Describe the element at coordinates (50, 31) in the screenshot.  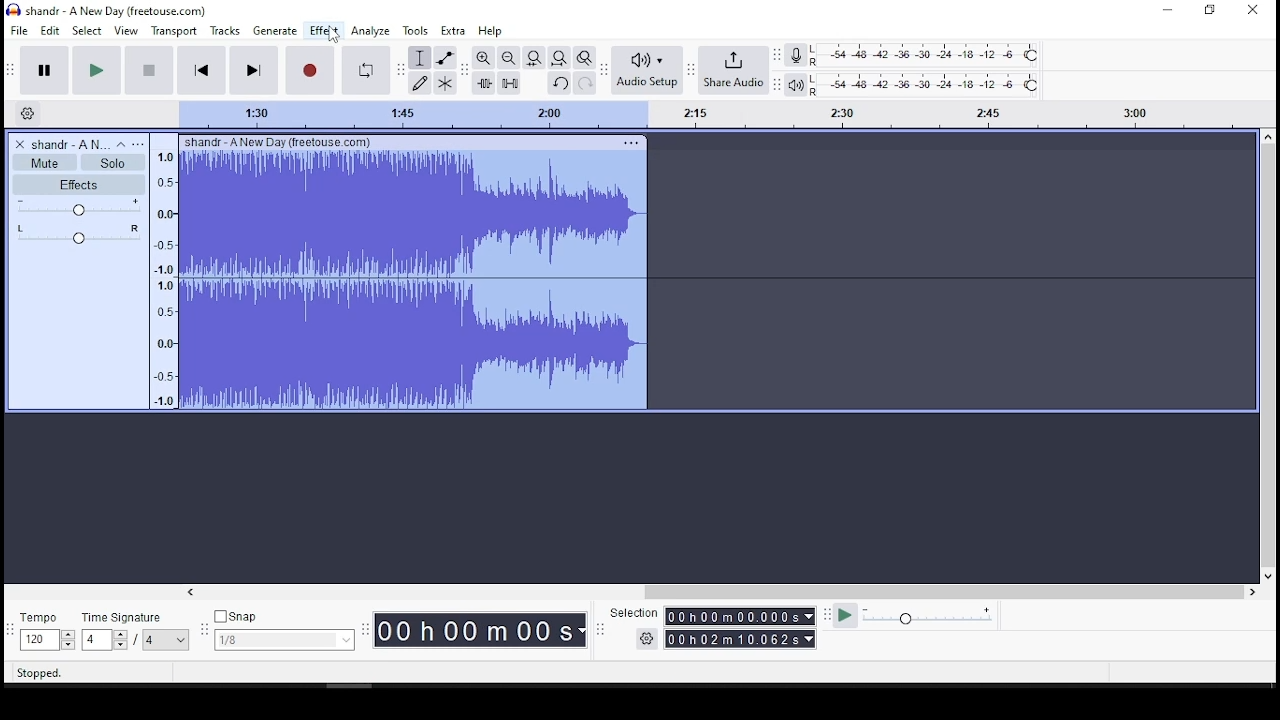
I see `edit` at that location.